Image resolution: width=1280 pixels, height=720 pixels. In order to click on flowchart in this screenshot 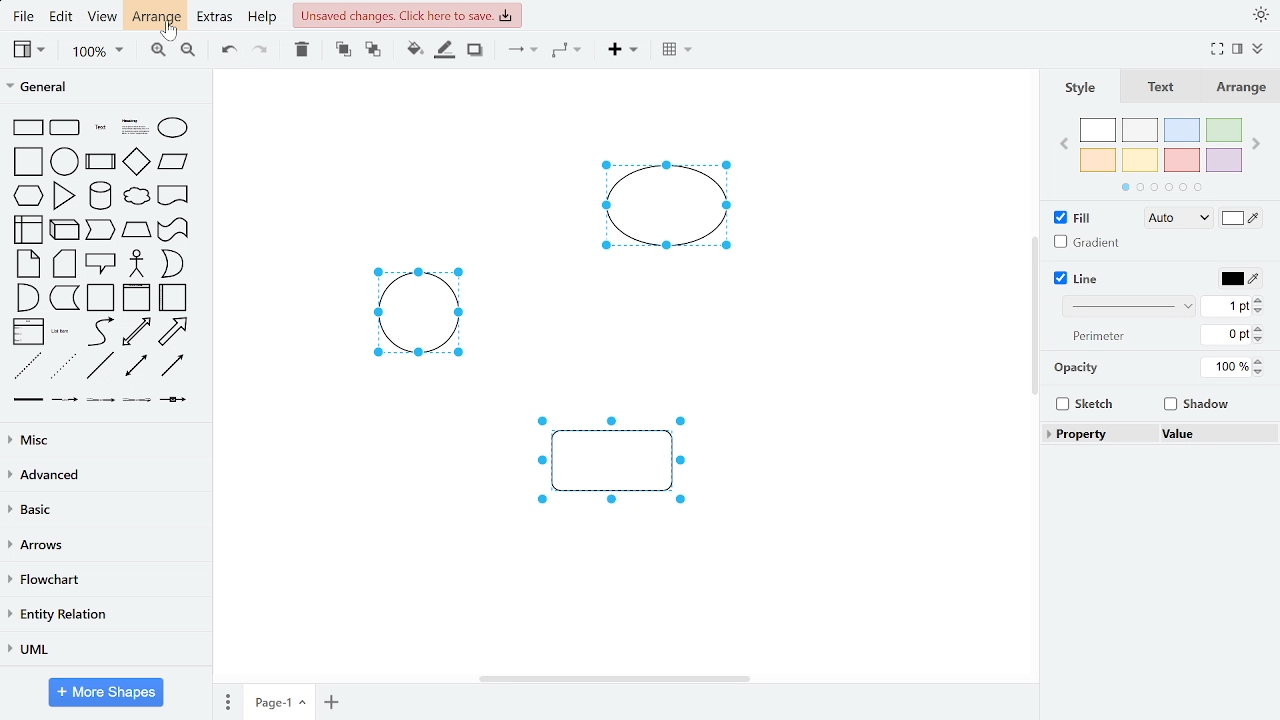, I will do `click(101, 581)`.